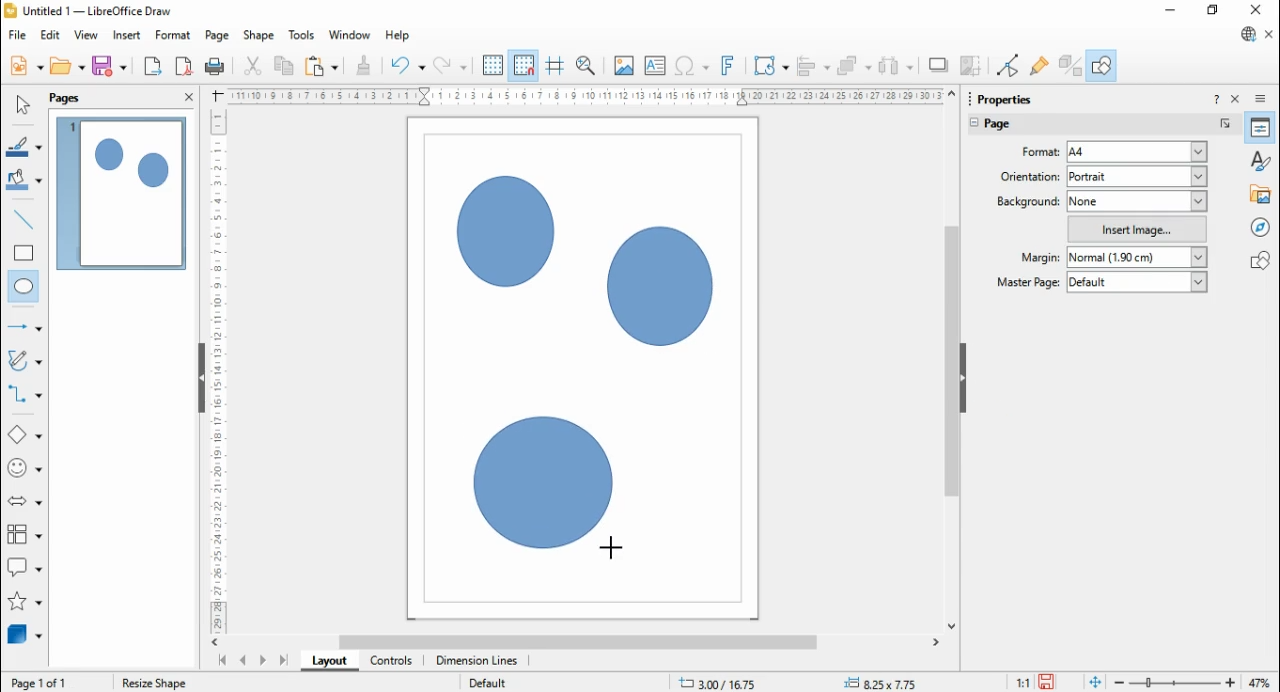  What do you see at coordinates (855, 66) in the screenshot?
I see `arrange` at bounding box center [855, 66].